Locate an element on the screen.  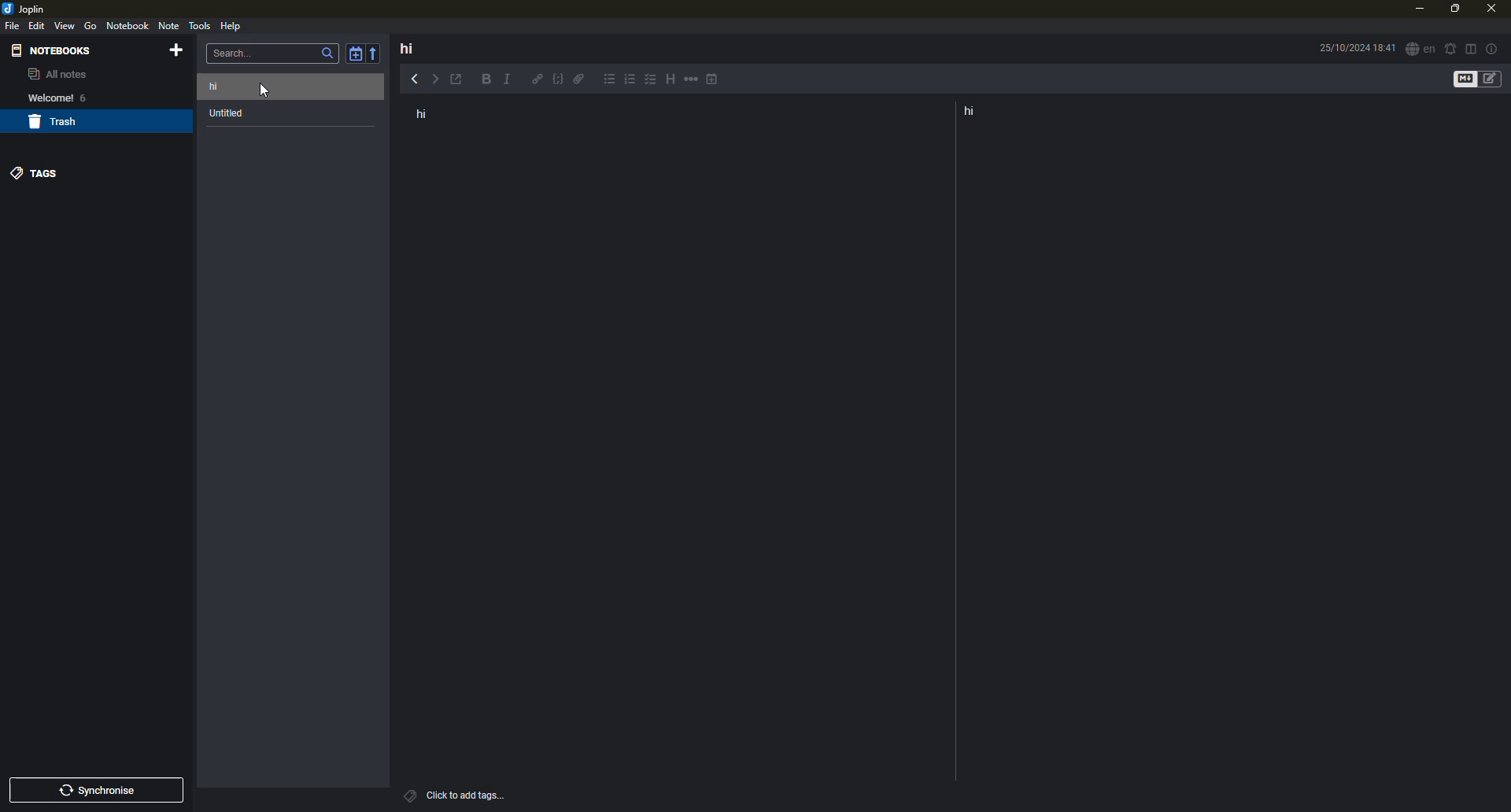
add notebook is located at coordinates (179, 51).